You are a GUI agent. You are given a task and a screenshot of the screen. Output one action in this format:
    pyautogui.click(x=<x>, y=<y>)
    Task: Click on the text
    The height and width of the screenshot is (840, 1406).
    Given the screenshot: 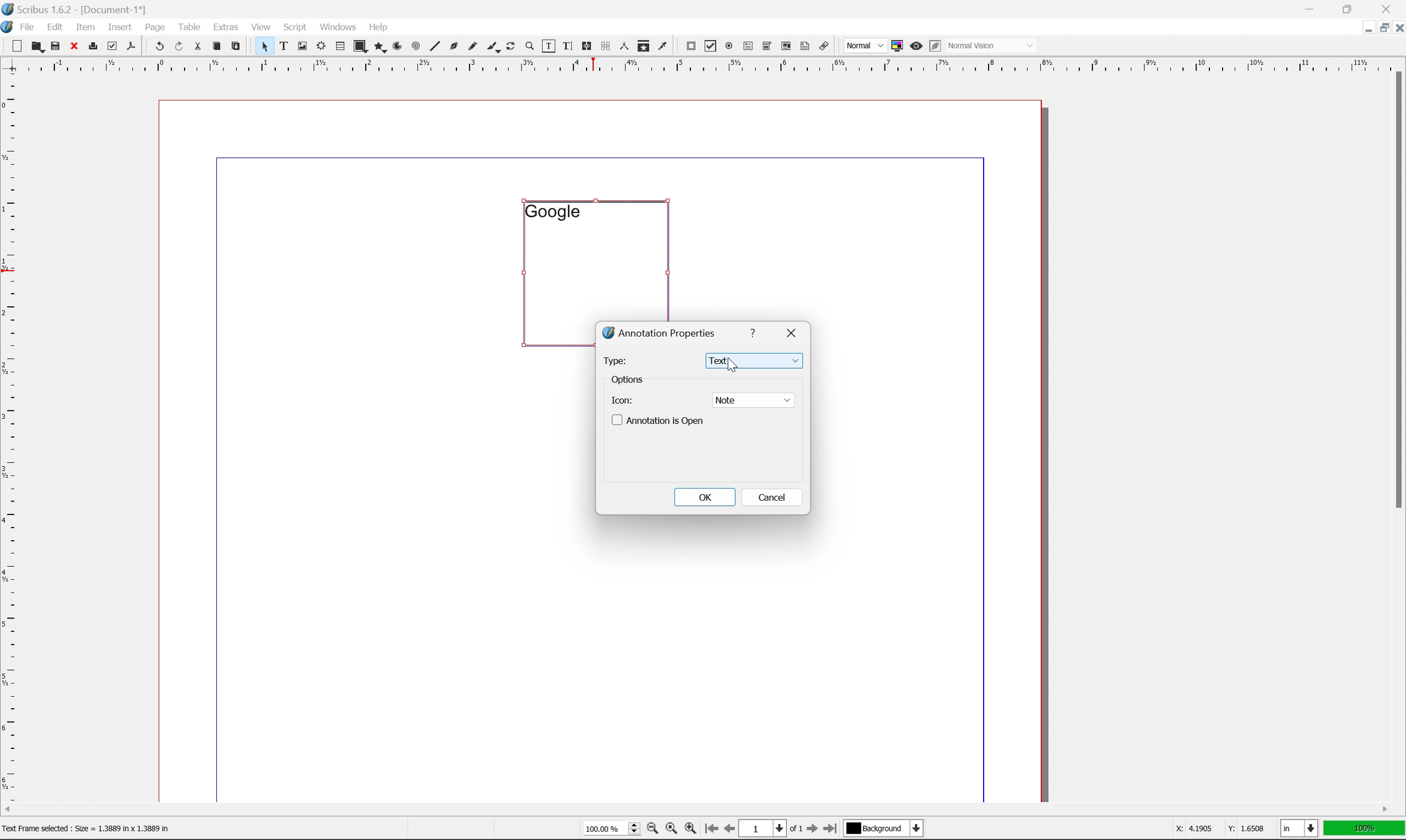 What is the action you would take?
    pyautogui.click(x=755, y=361)
    